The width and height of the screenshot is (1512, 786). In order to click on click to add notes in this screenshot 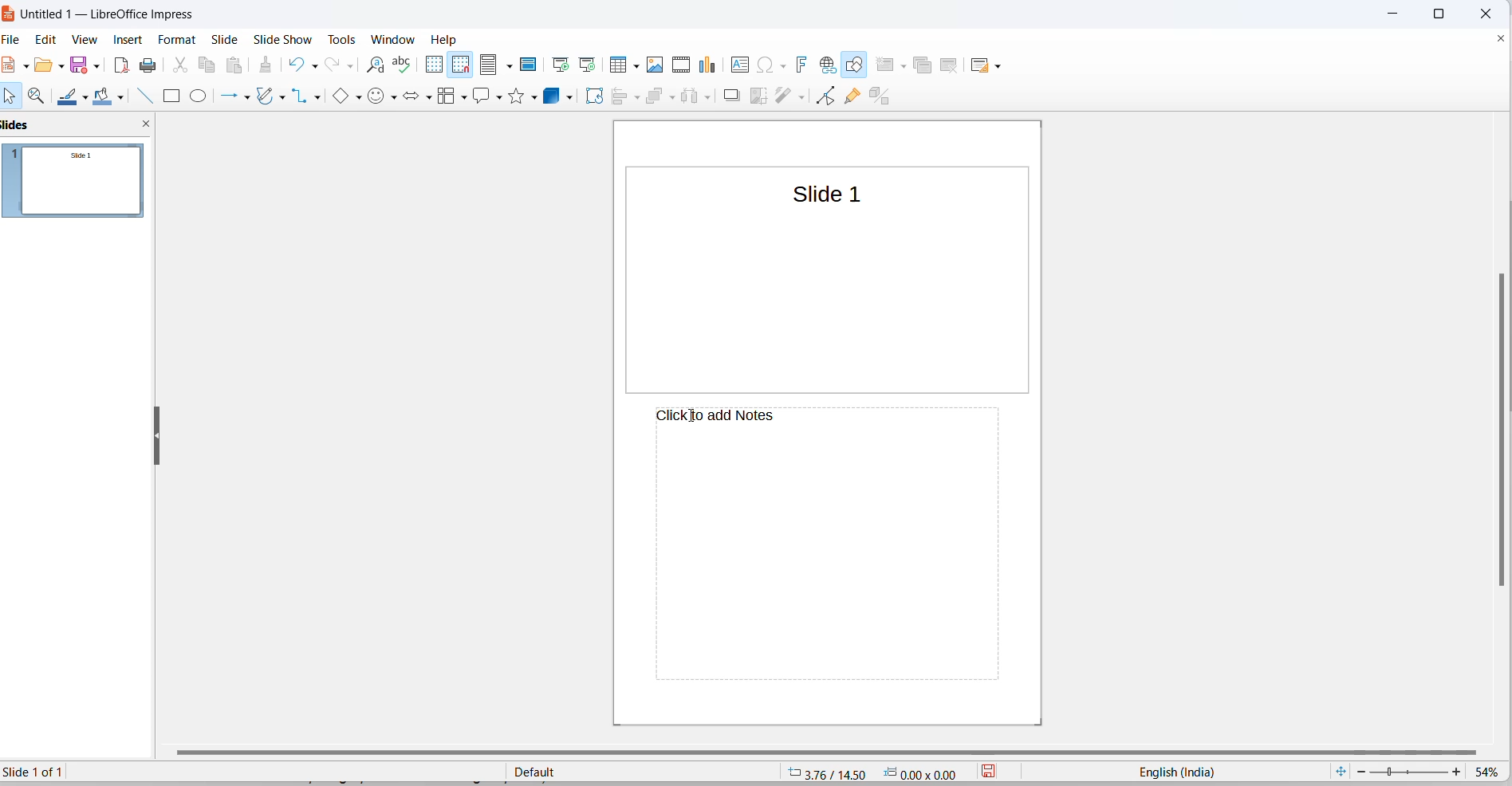, I will do `click(752, 419)`.